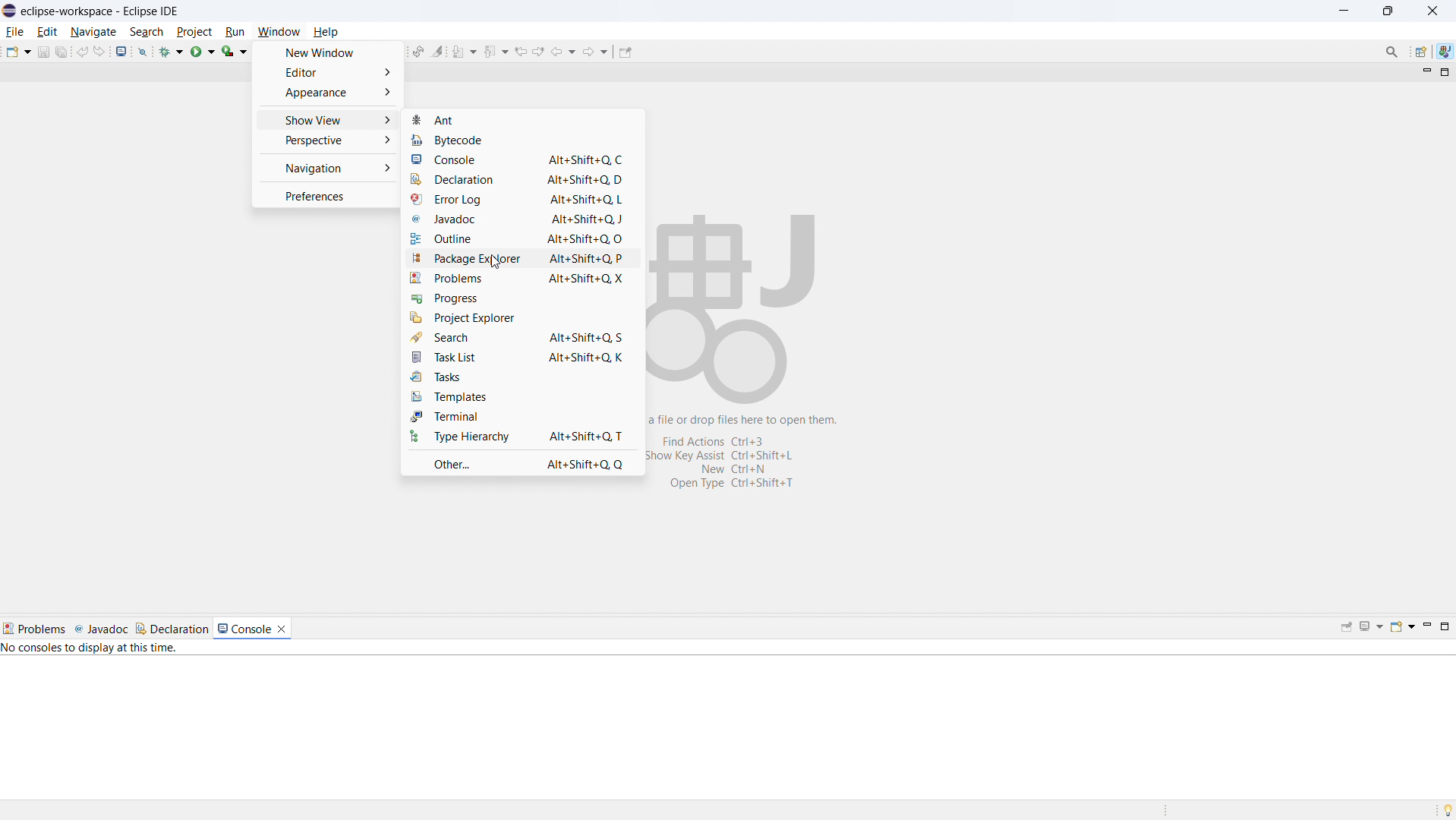  Describe the element at coordinates (143, 51) in the screenshot. I see `skip all breakpoints` at that location.